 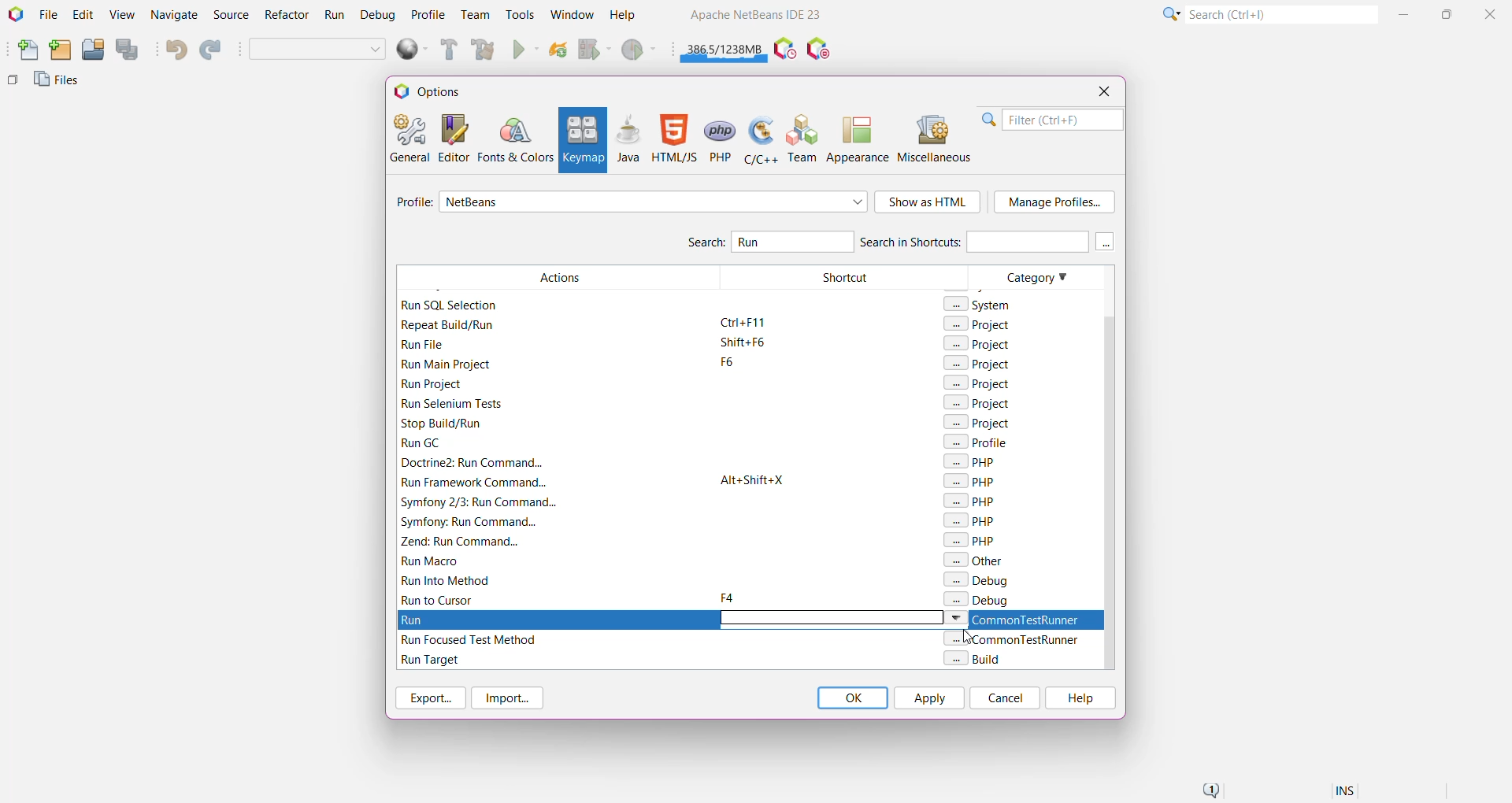 I want to click on Search in Shortcuts, so click(x=973, y=241).